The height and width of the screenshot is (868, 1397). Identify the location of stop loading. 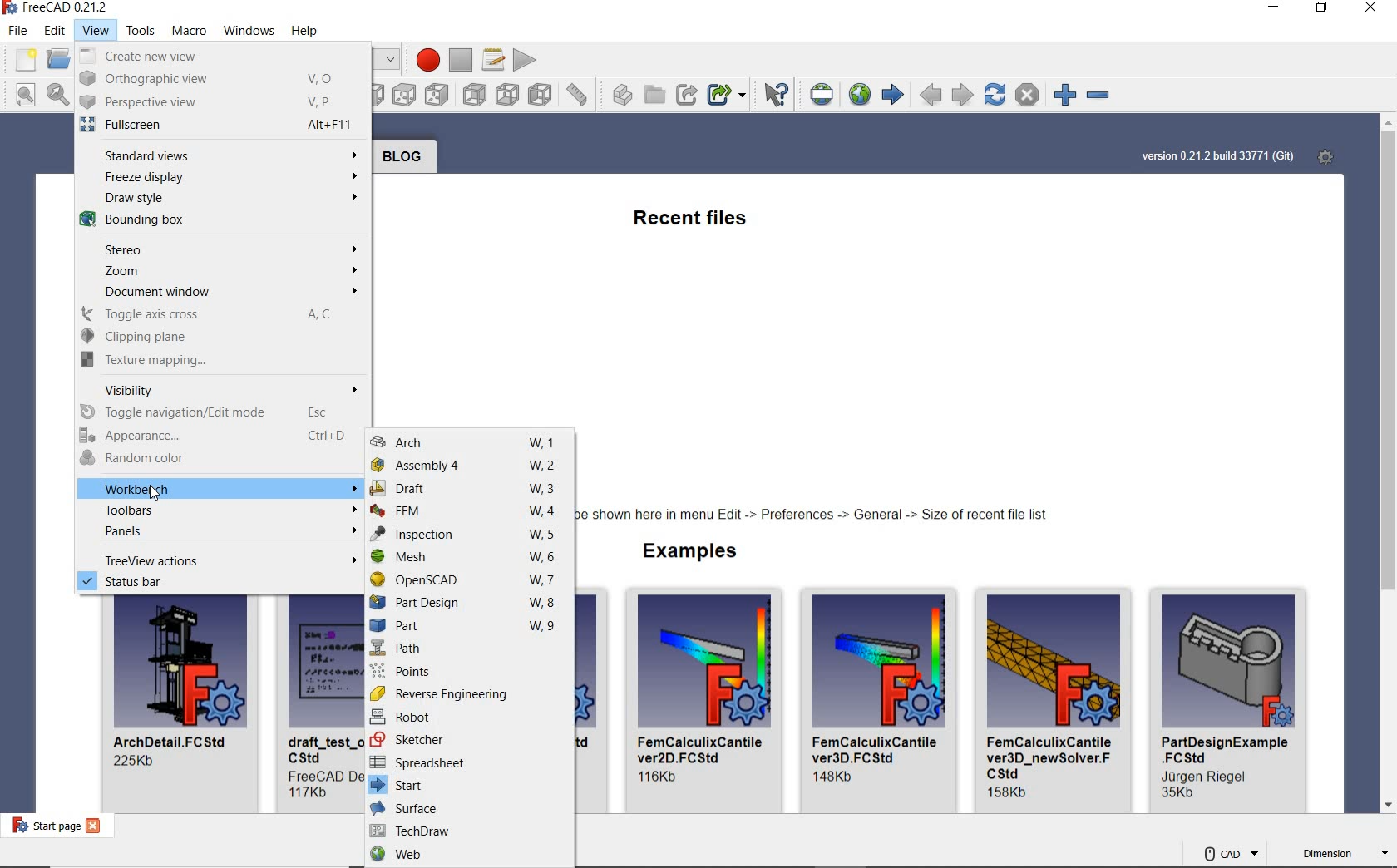
(1027, 95).